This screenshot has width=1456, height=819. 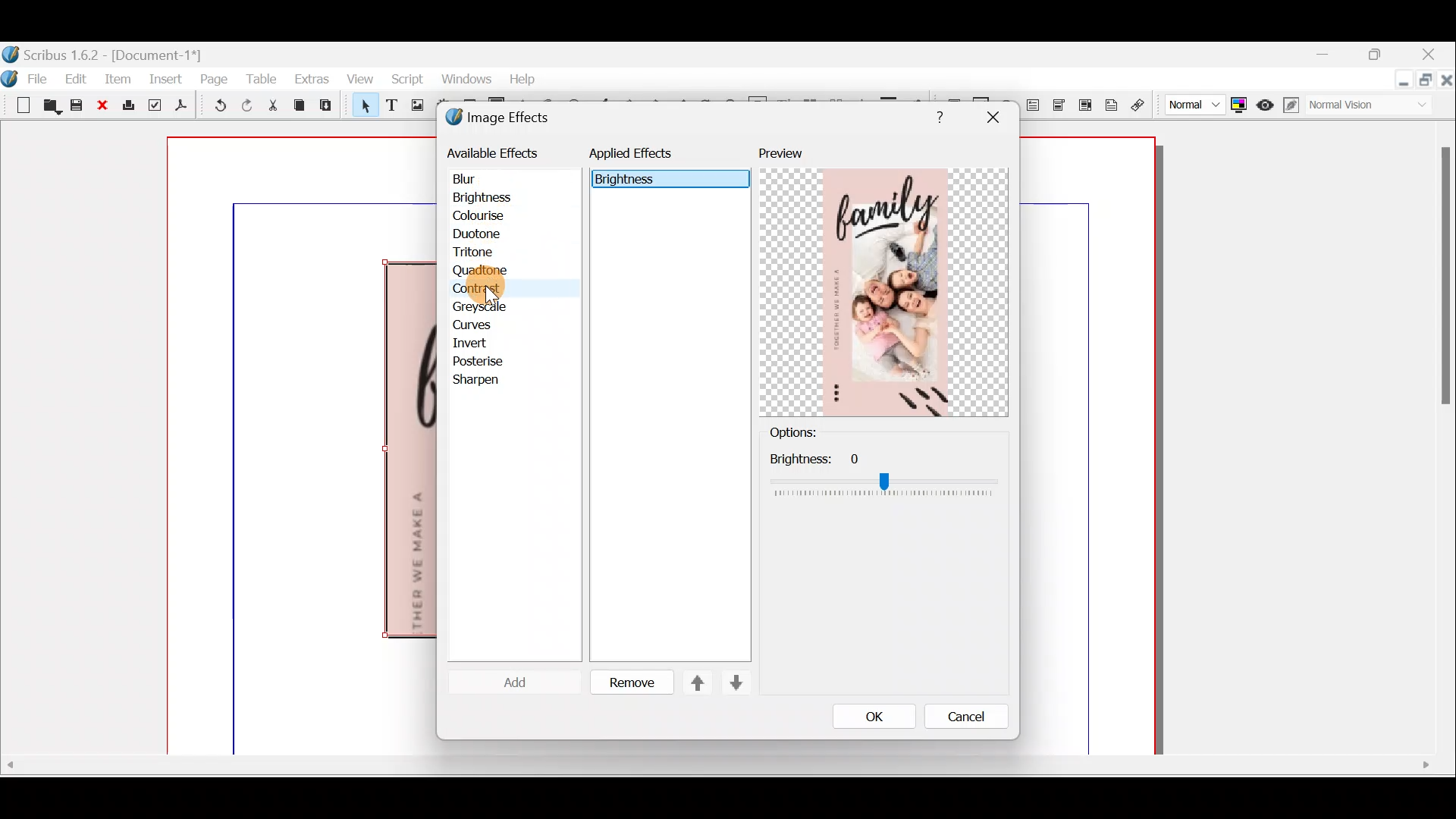 What do you see at coordinates (104, 53) in the screenshot?
I see `Document name` at bounding box center [104, 53].